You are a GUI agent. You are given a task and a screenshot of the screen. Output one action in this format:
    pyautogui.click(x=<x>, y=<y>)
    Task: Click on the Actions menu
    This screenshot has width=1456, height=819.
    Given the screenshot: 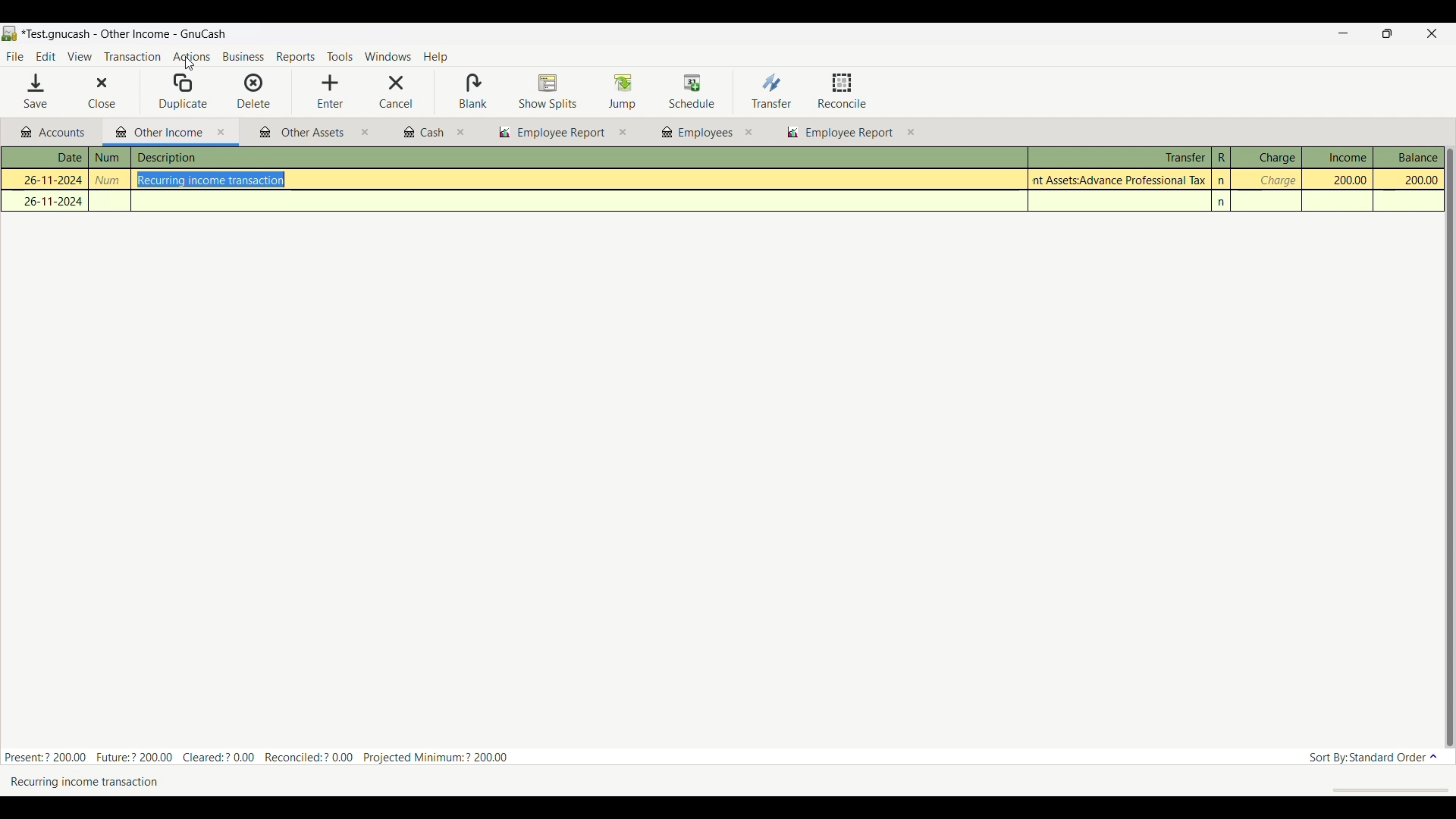 What is the action you would take?
    pyautogui.click(x=191, y=58)
    